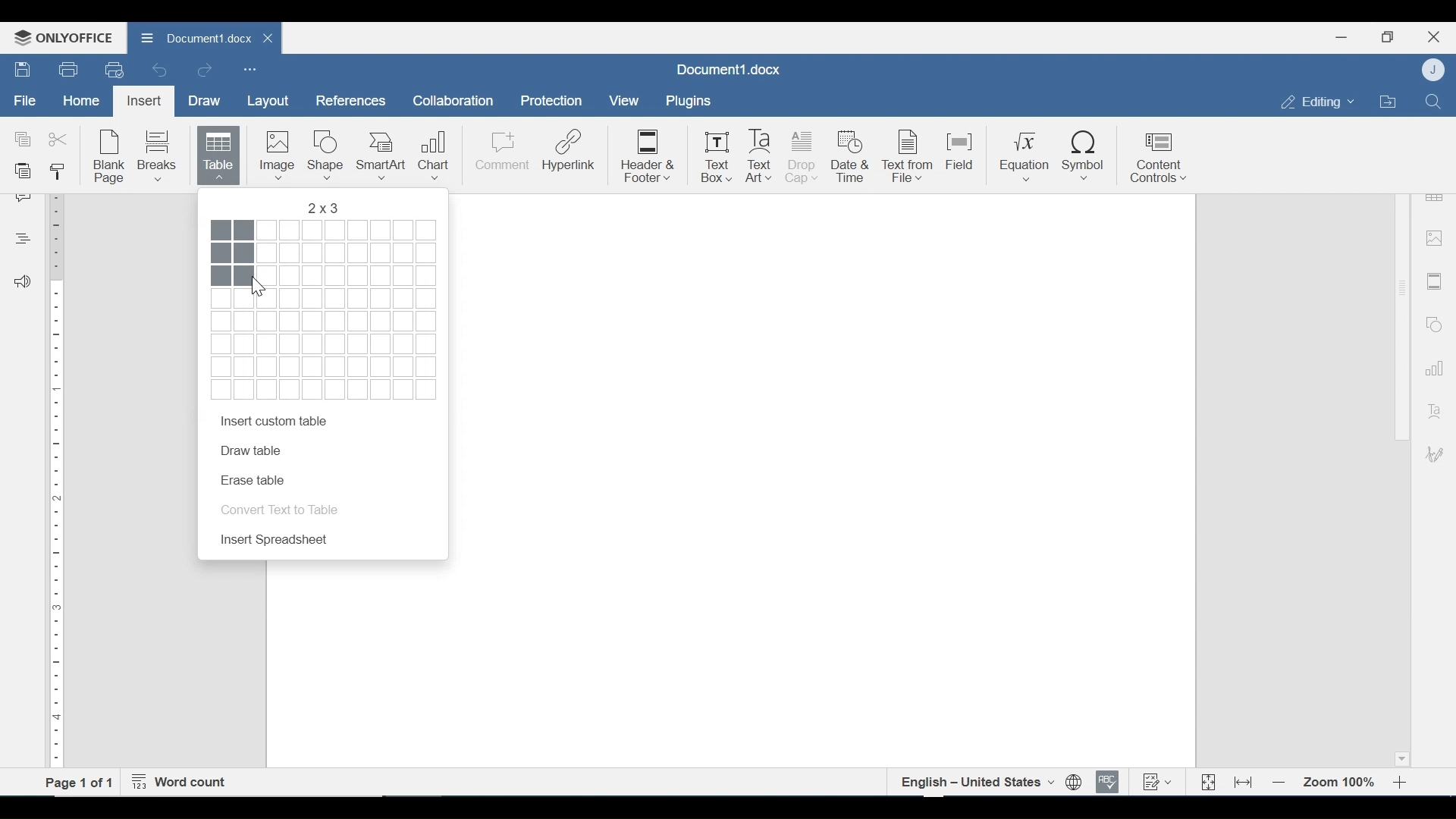  Describe the element at coordinates (1157, 159) in the screenshot. I see `Content Control` at that location.